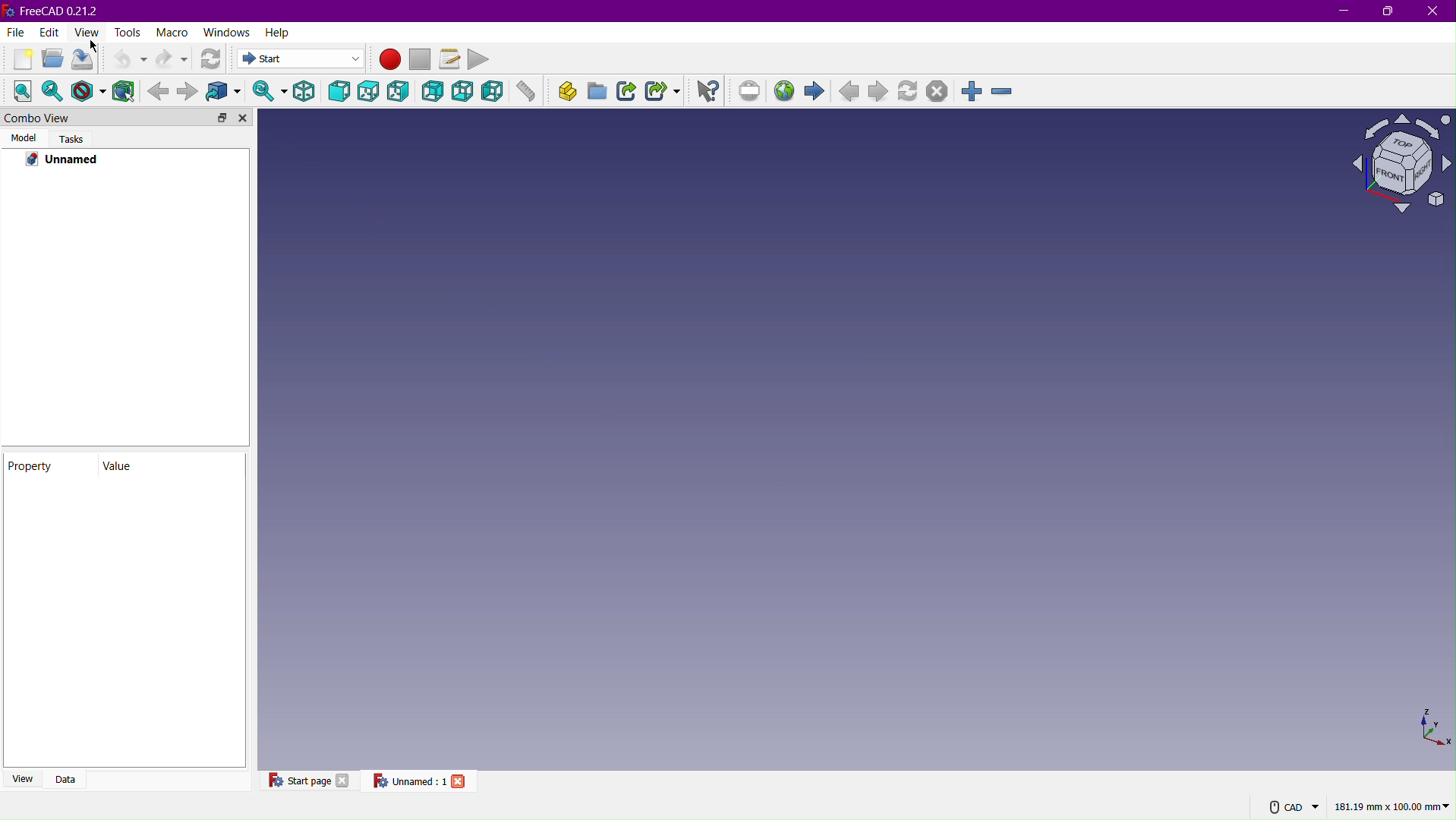 The height and width of the screenshot is (820, 1456). Describe the element at coordinates (420, 781) in the screenshot. I see `Unnamed:1` at that location.